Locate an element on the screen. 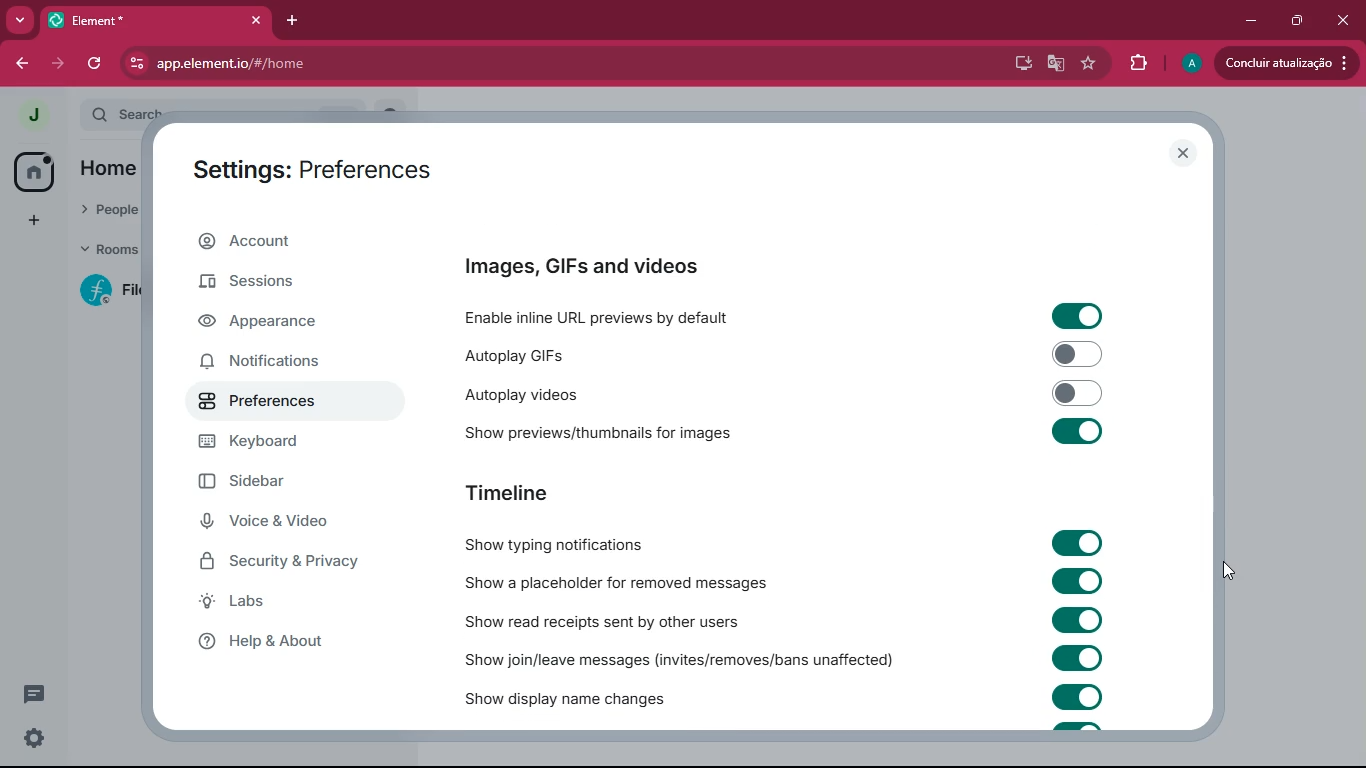  minimize is located at coordinates (1249, 20).